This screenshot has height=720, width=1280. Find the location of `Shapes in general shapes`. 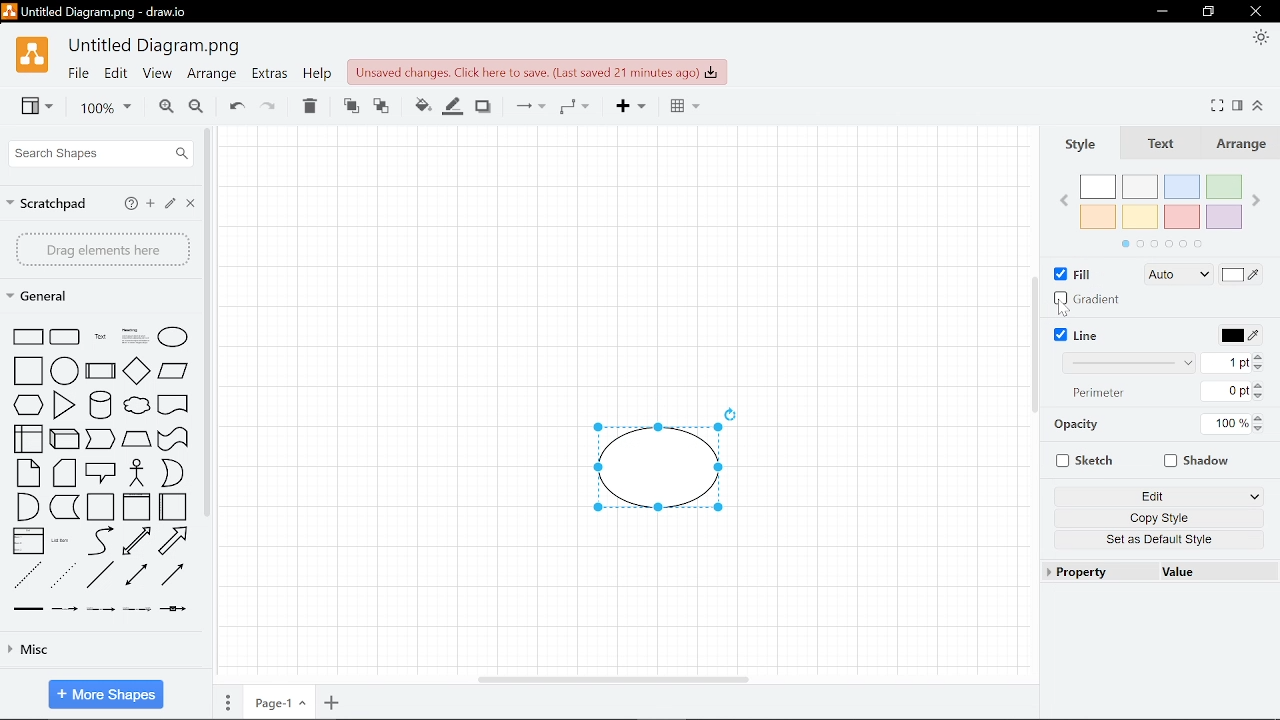

Shapes in general shapes is located at coordinates (102, 465).